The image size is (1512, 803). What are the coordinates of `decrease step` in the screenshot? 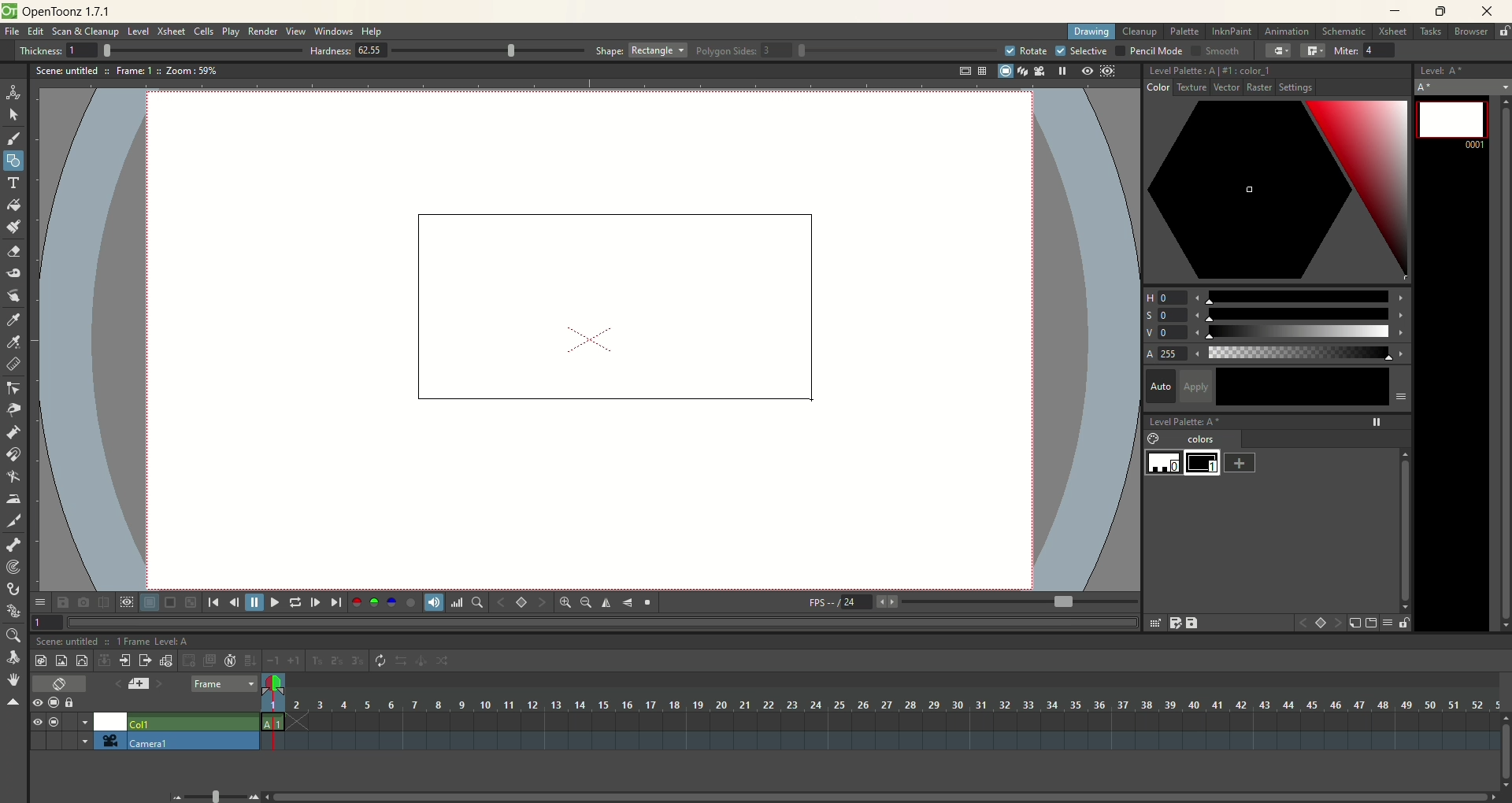 It's located at (272, 661).